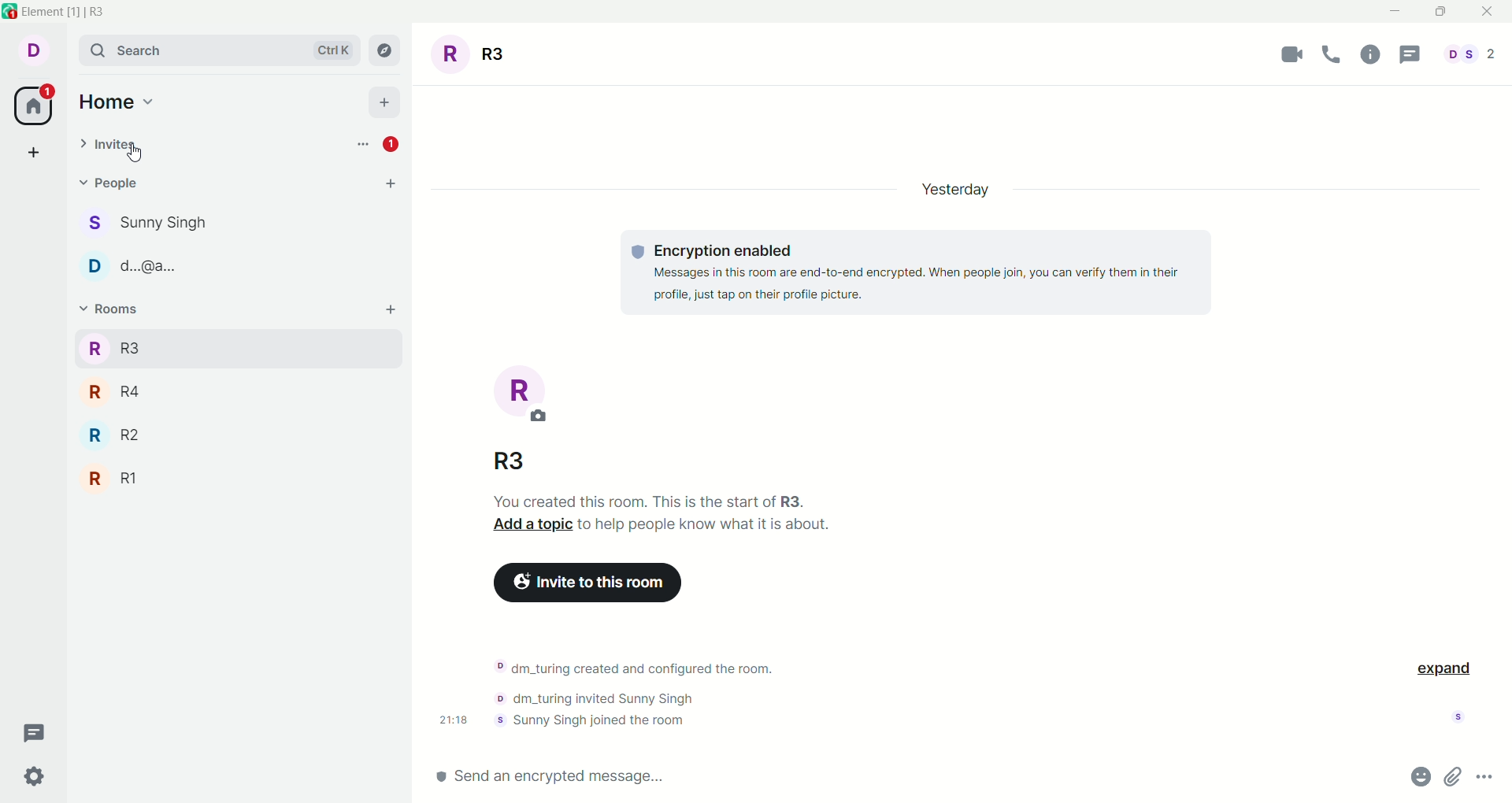  I want to click on minimize, so click(1398, 12).